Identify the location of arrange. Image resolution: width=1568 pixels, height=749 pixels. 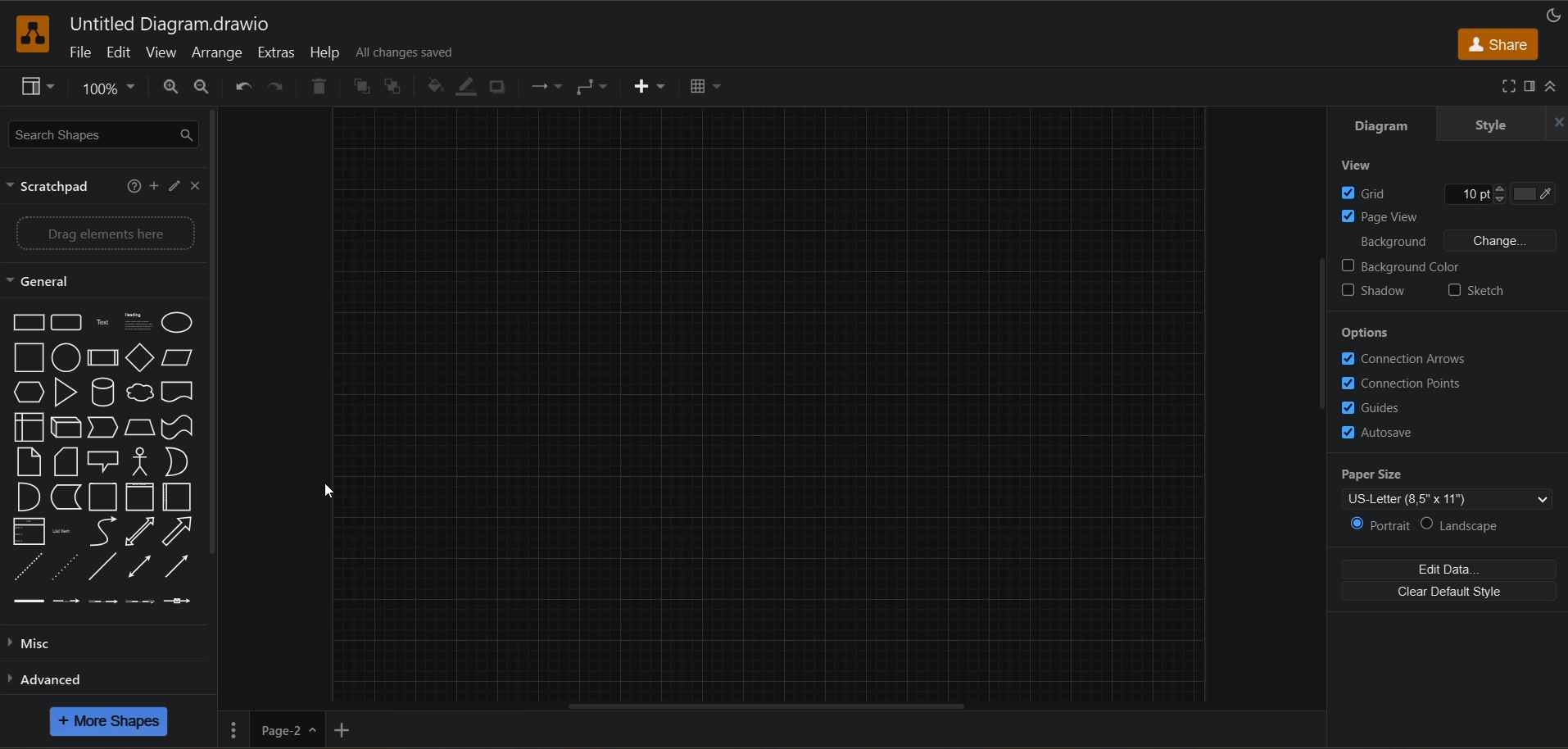
(218, 53).